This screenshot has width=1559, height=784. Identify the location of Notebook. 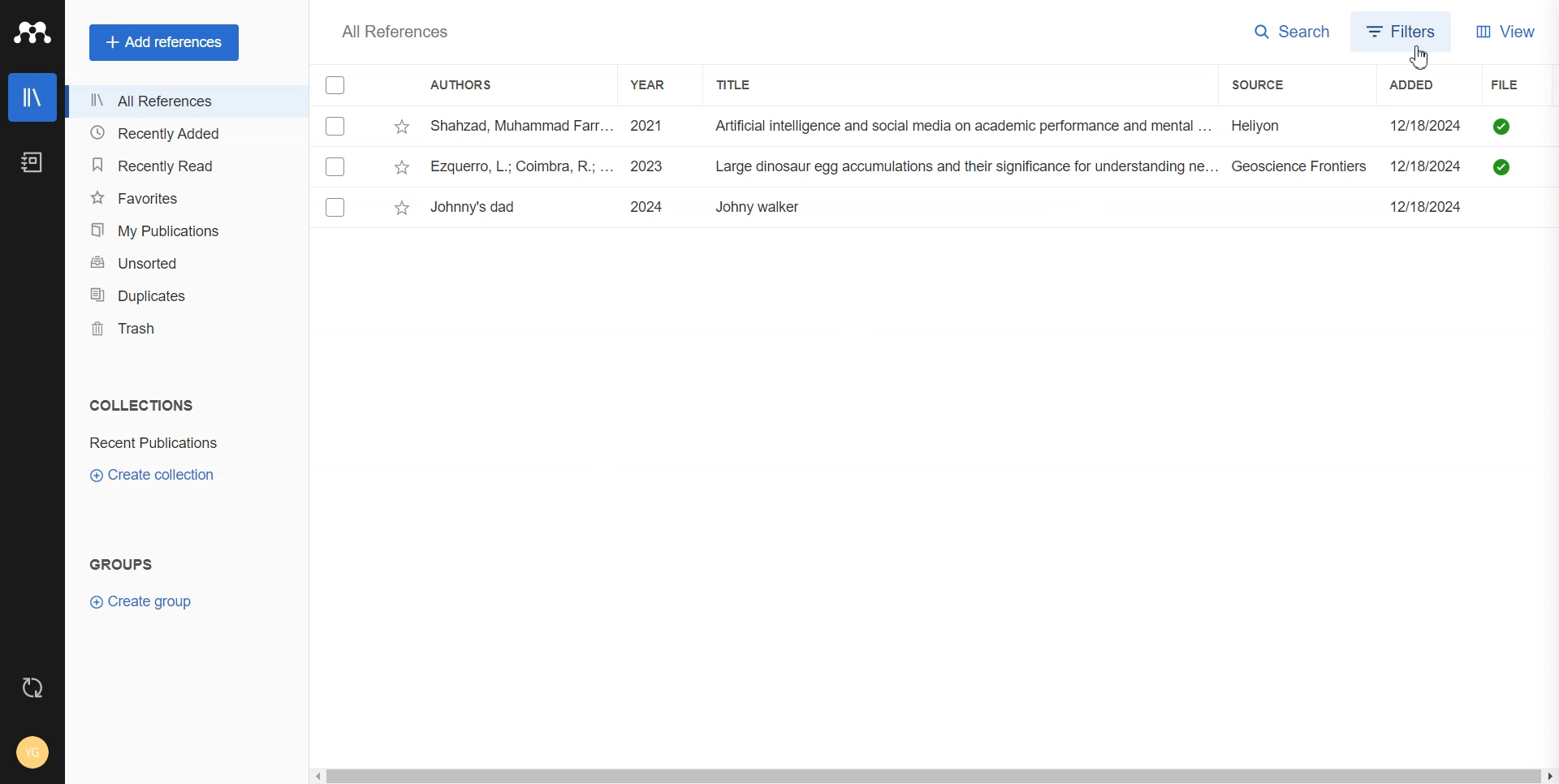
(32, 162).